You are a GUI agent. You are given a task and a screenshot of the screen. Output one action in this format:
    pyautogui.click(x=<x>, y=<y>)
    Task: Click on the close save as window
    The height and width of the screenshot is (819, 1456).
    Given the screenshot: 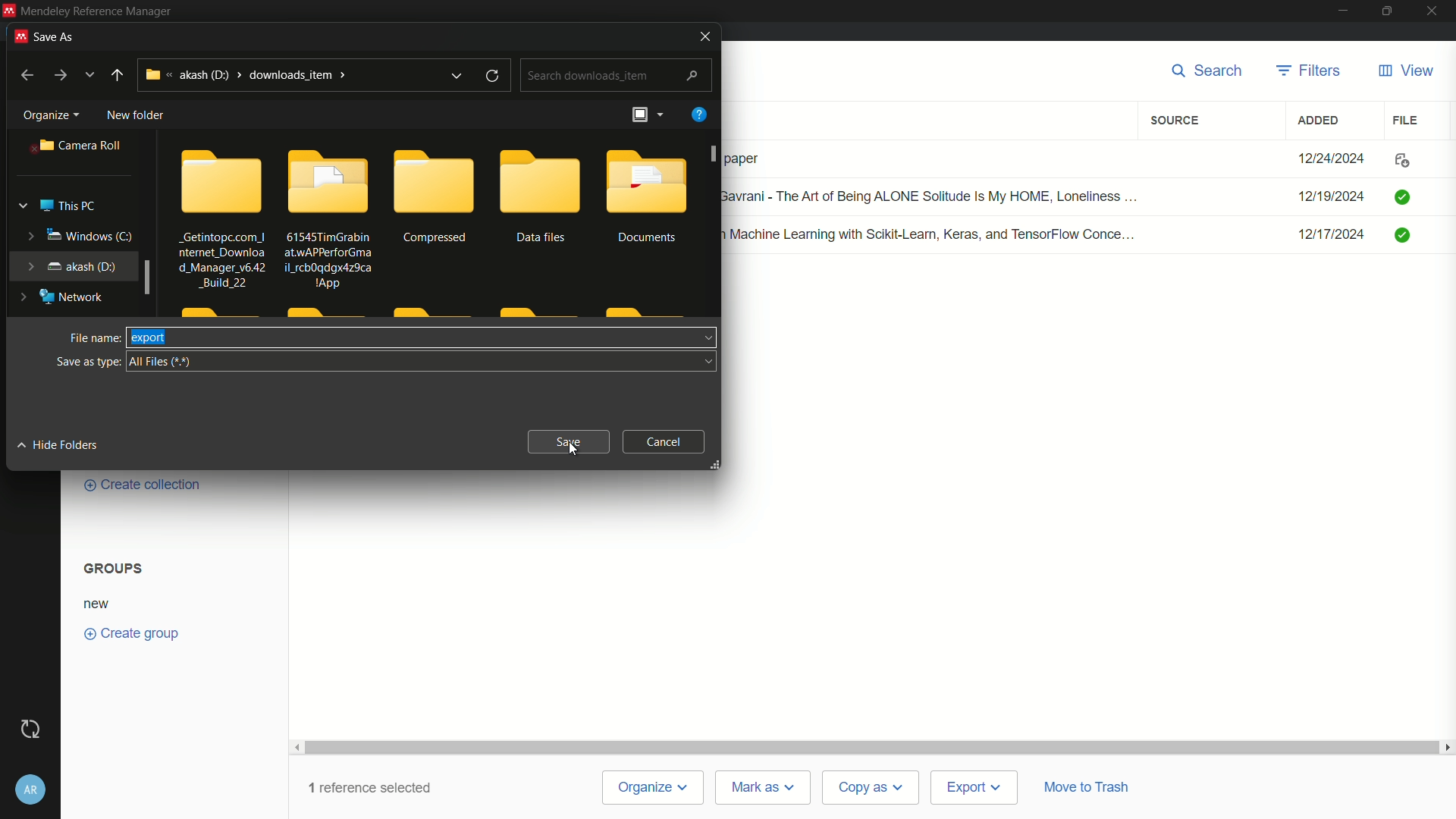 What is the action you would take?
    pyautogui.click(x=702, y=36)
    